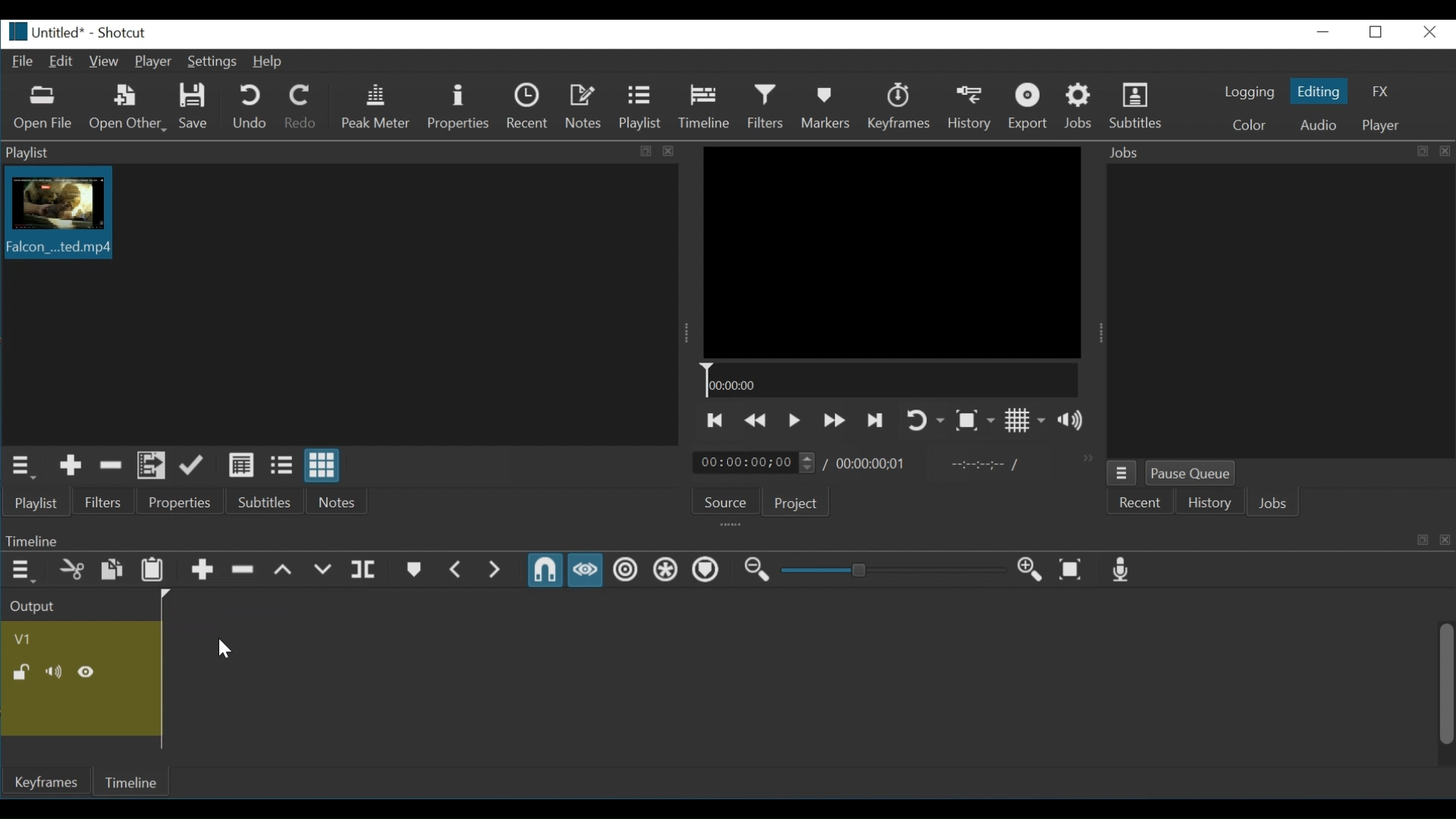 Image resolution: width=1456 pixels, height=819 pixels. What do you see at coordinates (112, 570) in the screenshot?
I see `Copy` at bounding box center [112, 570].